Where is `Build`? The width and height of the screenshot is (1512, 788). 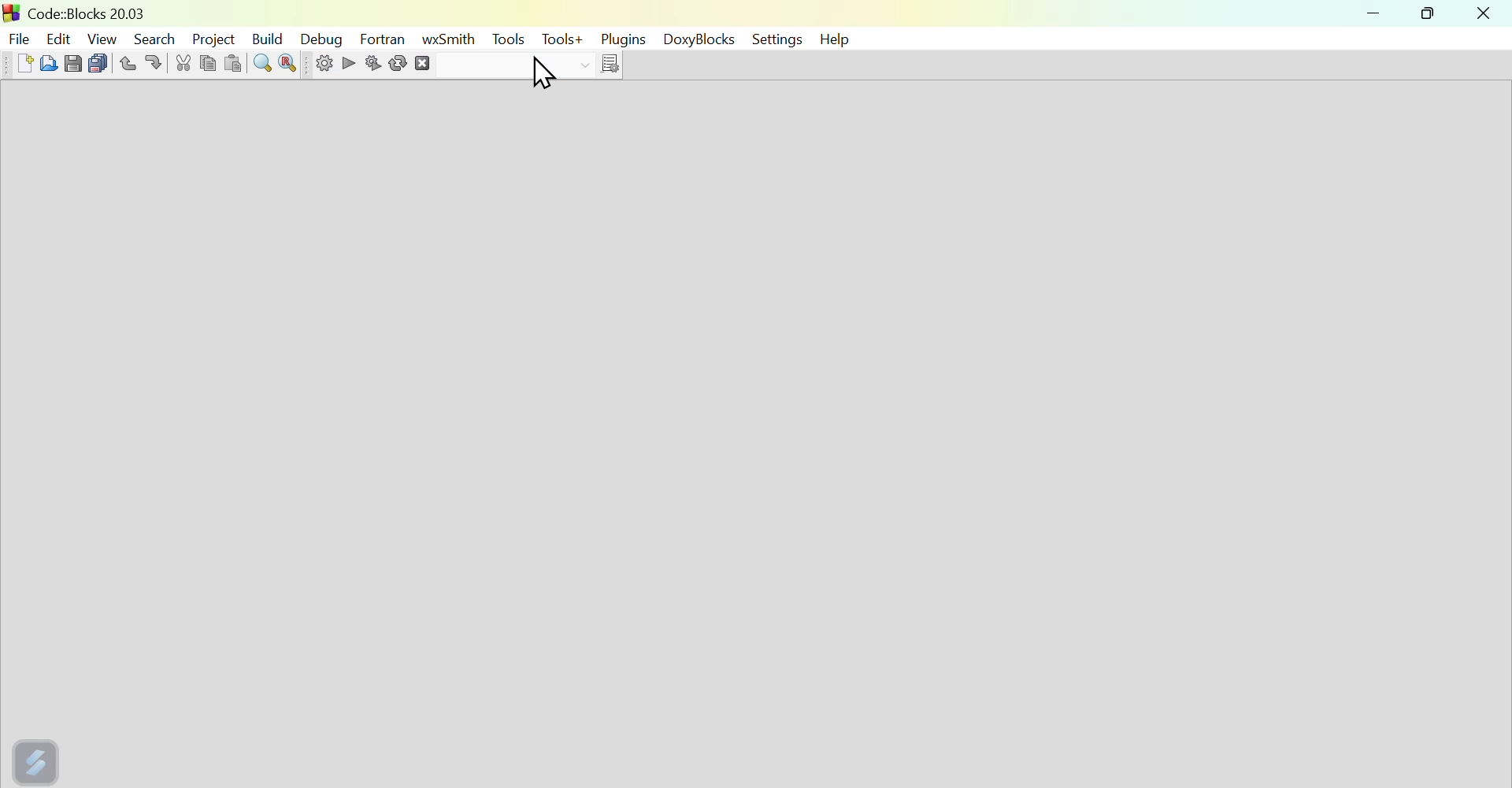
Build is located at coordinates (272, 35).